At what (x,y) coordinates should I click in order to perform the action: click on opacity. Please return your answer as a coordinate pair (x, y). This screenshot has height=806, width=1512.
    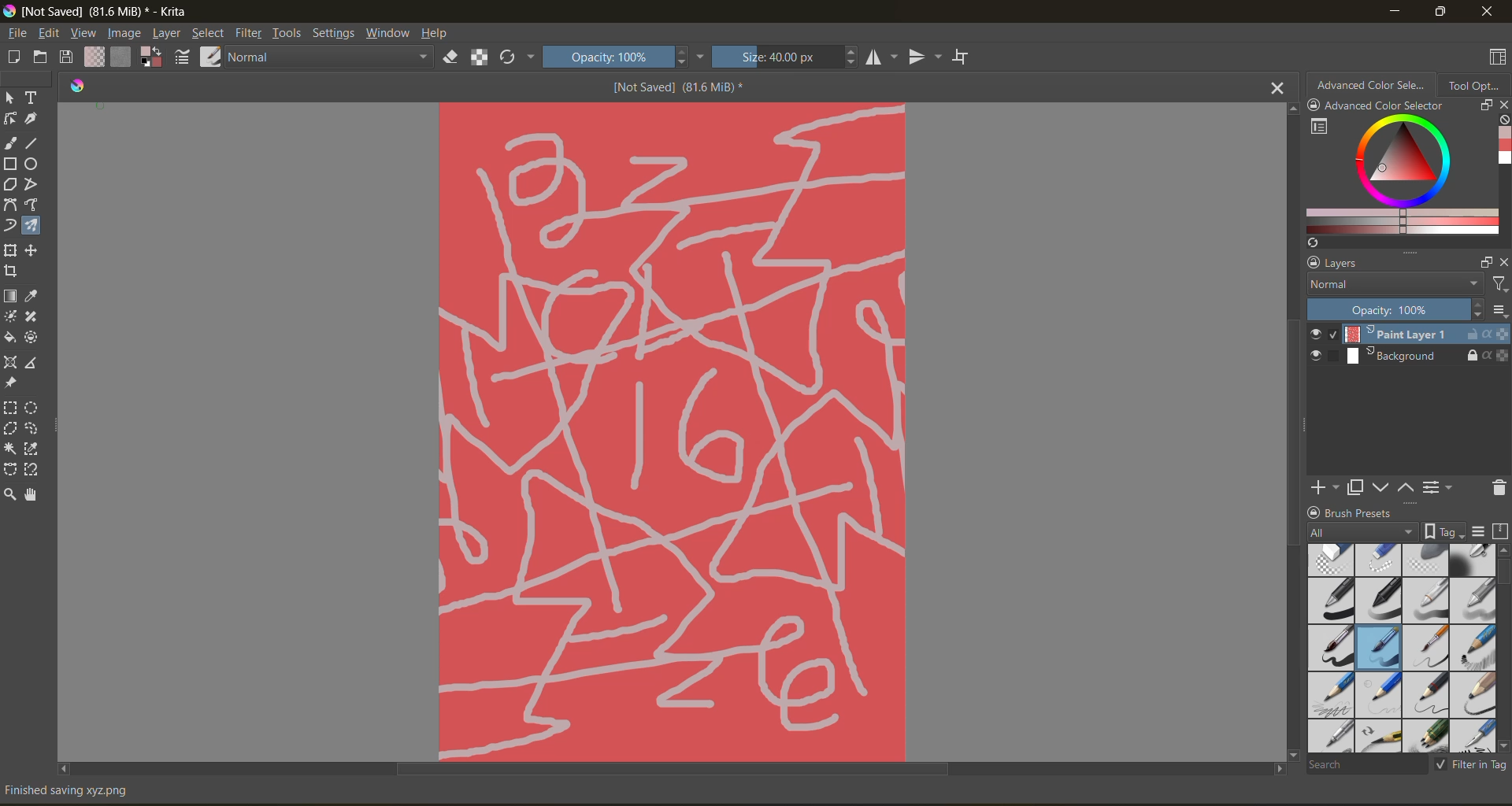
    Looking at the image, I should click on (621, 56).